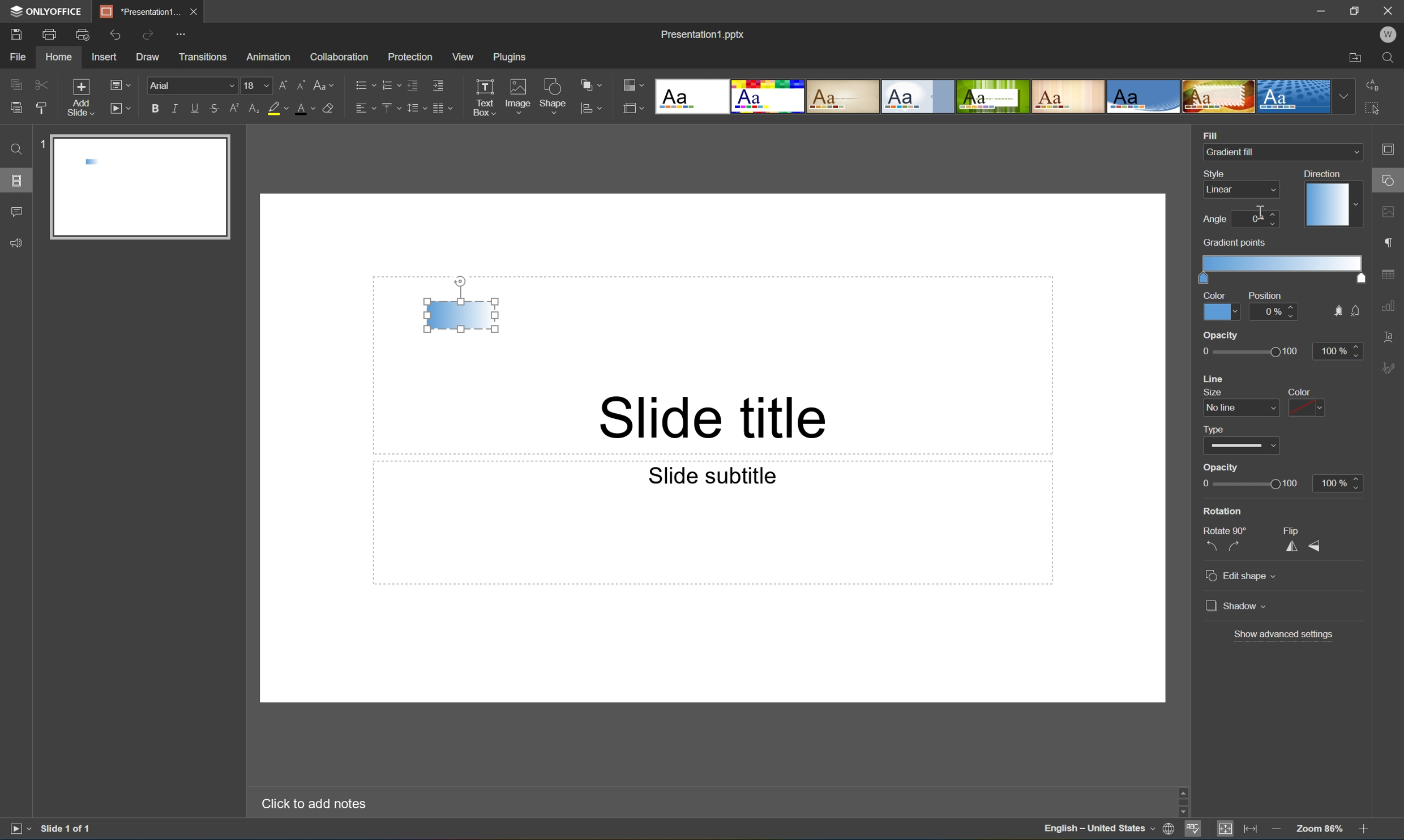  What do you see at coordinates (1099, 830) in the screenshot?
I see `English - United States` at bounding box center [1099, 830].